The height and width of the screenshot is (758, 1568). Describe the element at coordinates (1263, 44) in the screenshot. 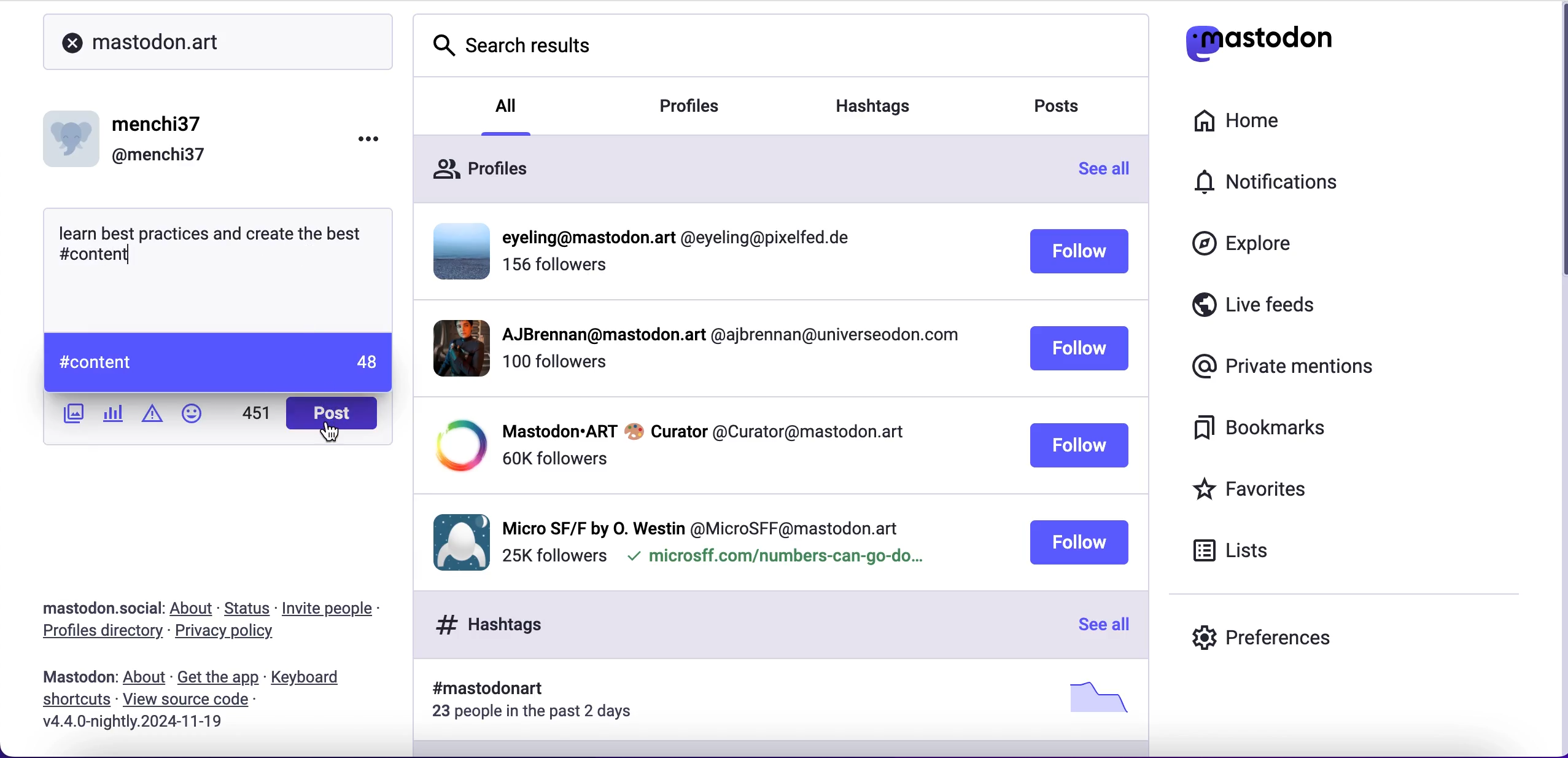

I see `mastodon logo` at that location.